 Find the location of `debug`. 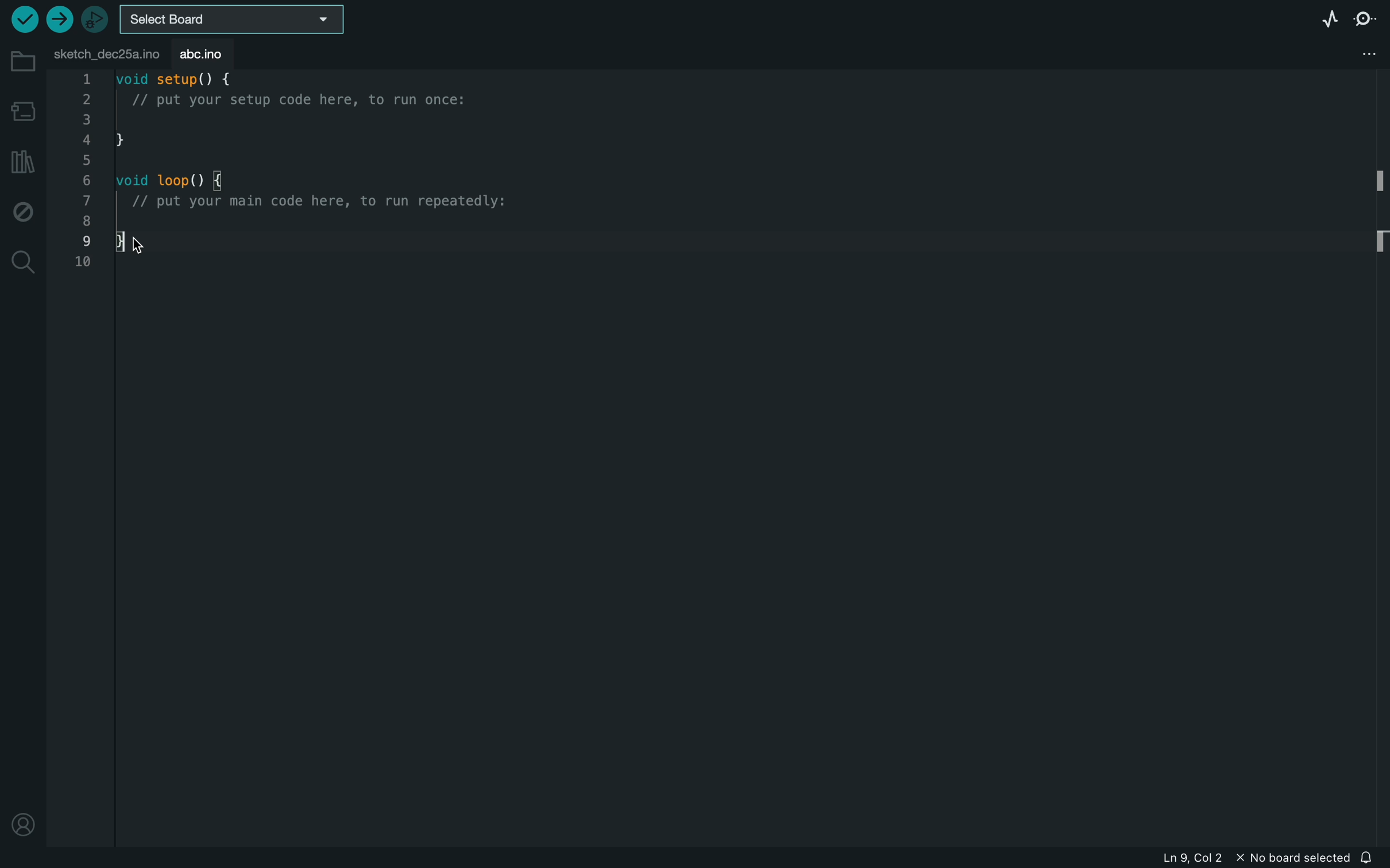

debug is located at coordinates (22, 210).